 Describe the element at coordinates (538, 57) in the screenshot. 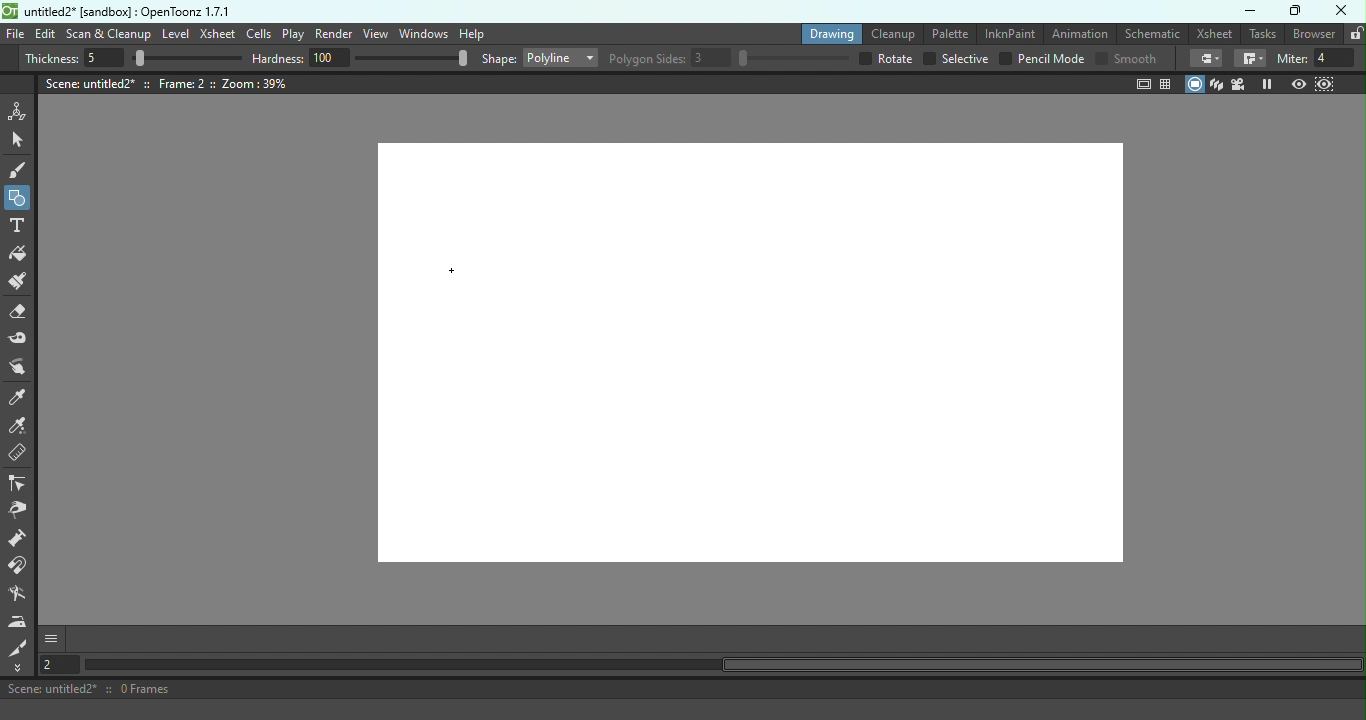

I see `Shape` at that location.